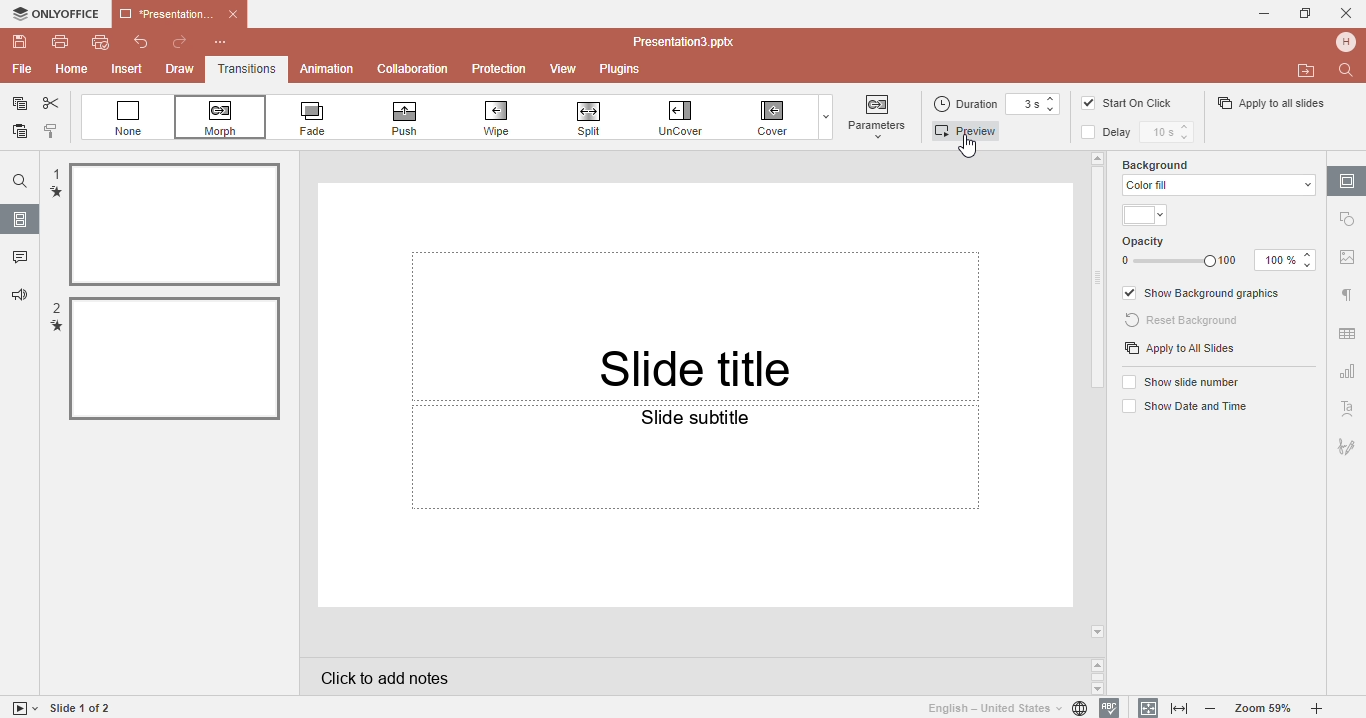 The image size is (1366, 718). What do you see at coordinates (326, 68) in the screenshot?
I see `Animation` at bounding box center [326, 68].